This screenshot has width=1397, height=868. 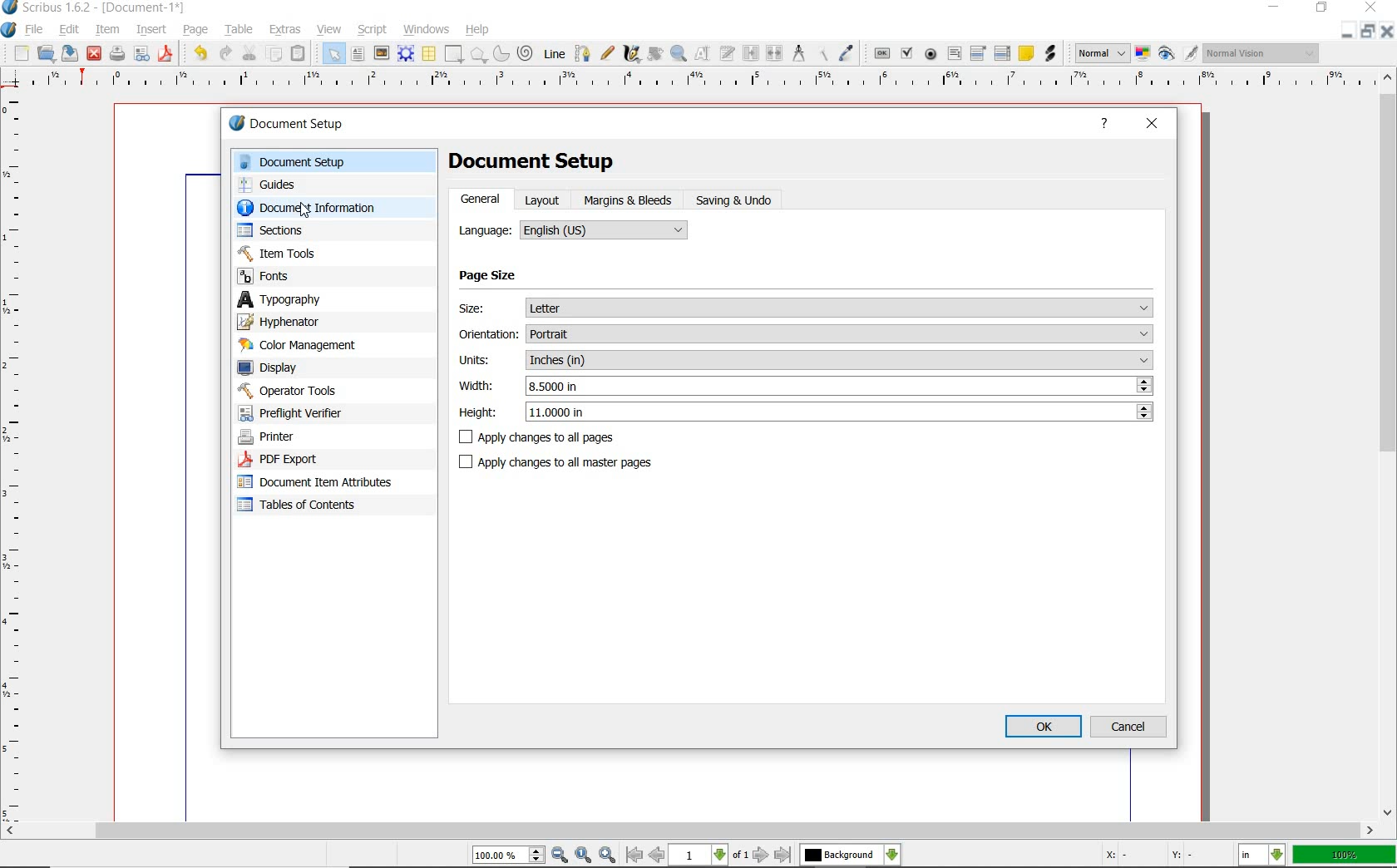 What do you see at coordinates (704, 55) in the screenshot?
I see `edit contents of frame` at bounding box center [704, 55].